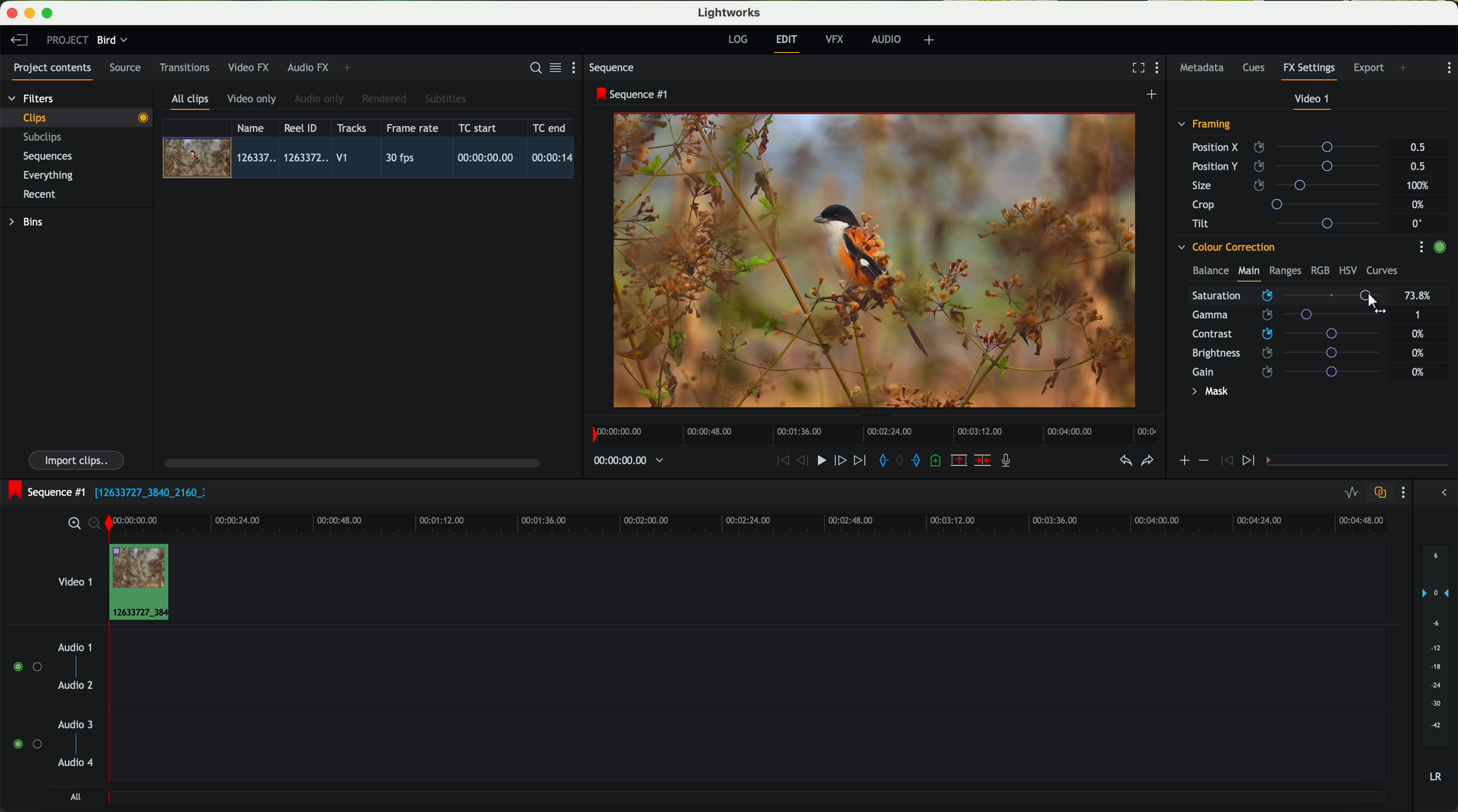 The height and width of the screenshot is (812, 1458). Describe the element at coordinates (1287, 297) in the screenshot. I see `mouse up (saturation)` at that location.